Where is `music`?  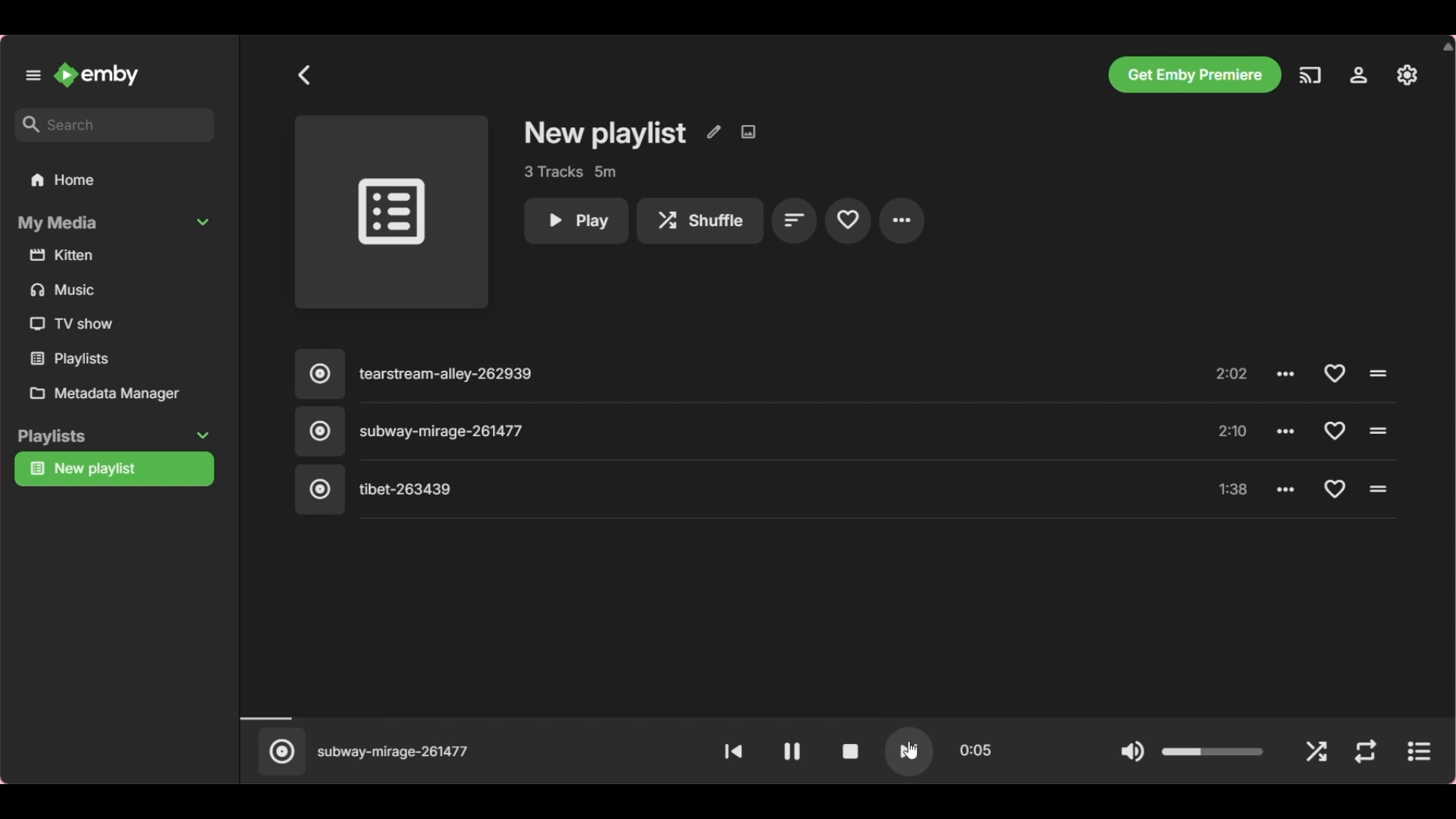
music is located at coordinates (66, 291).